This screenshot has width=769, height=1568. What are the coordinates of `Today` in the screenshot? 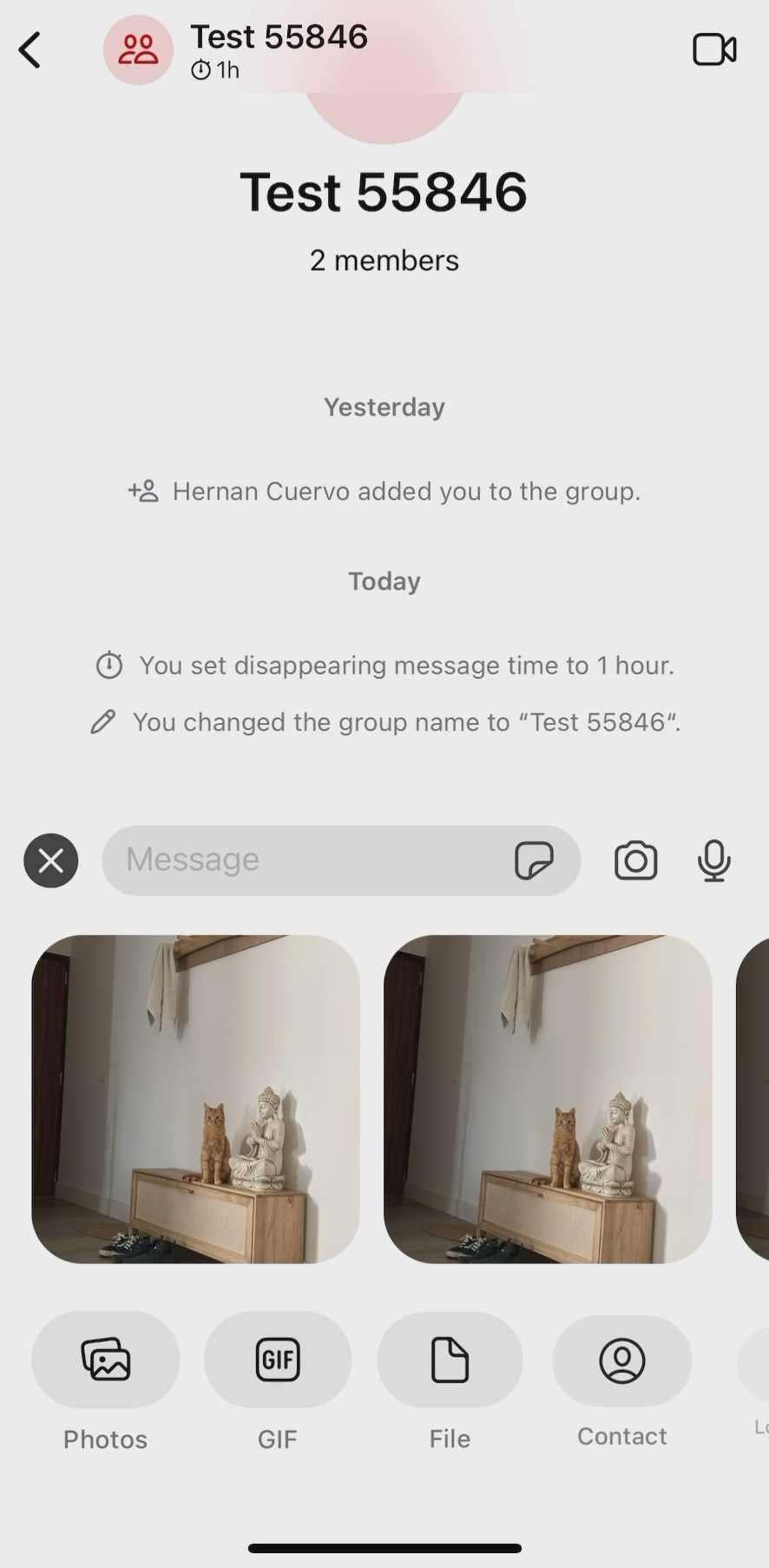 It's located at (379, 571).